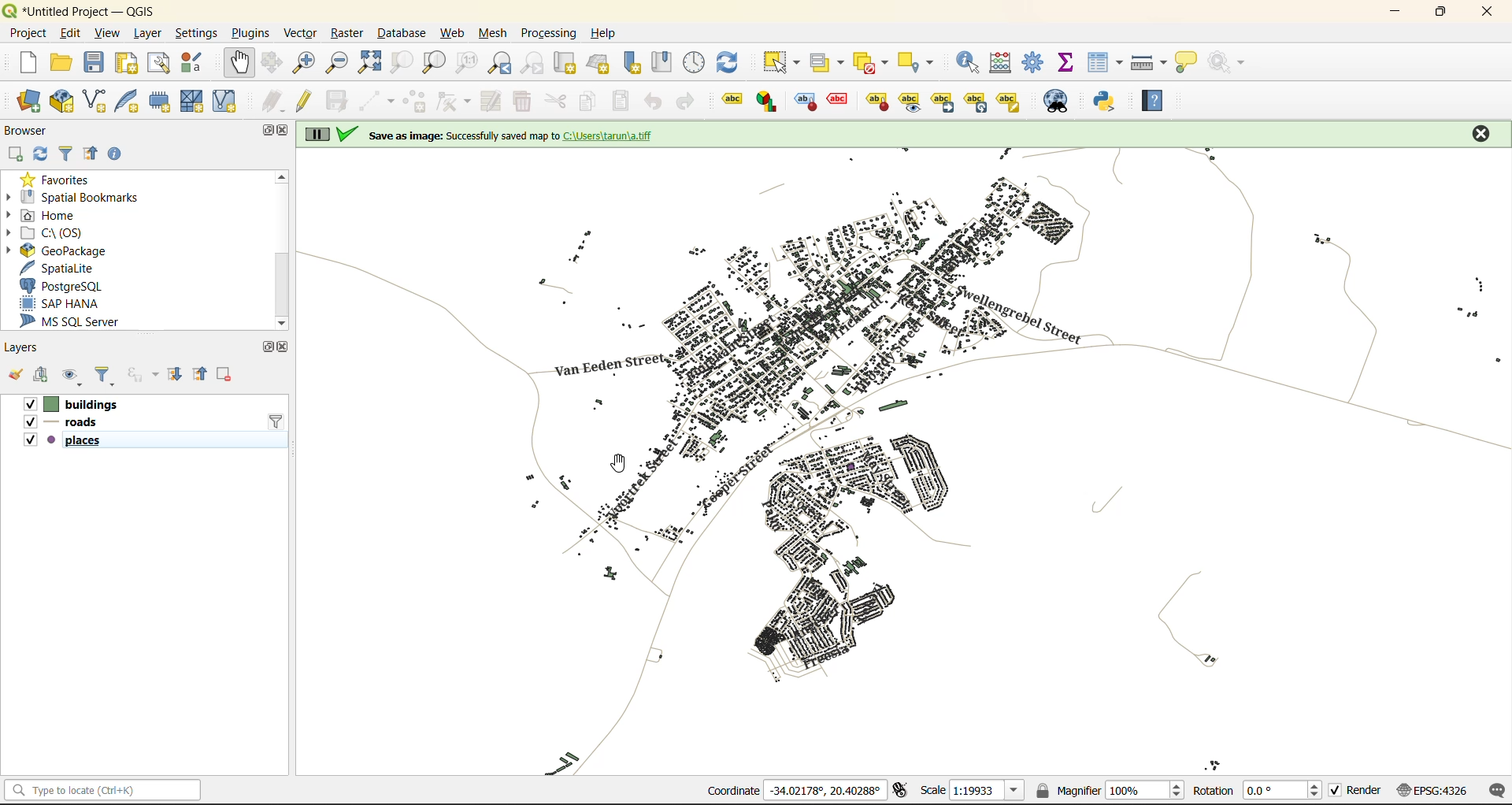  I want to click on pan selection, so click(273, 62).